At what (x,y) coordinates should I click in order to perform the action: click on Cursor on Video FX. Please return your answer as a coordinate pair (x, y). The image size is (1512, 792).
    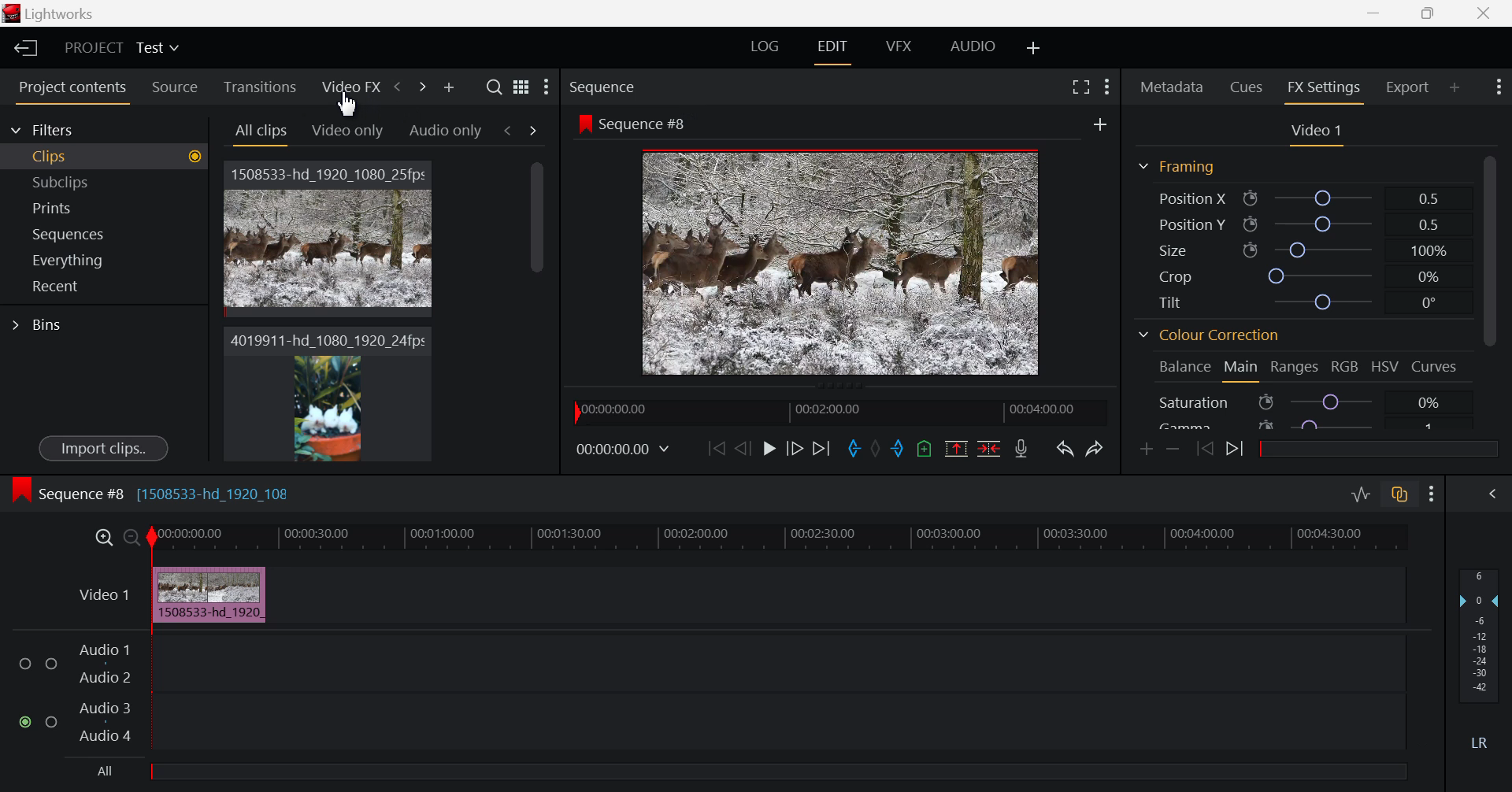
    Looking at the image, I should click on (350, 88).